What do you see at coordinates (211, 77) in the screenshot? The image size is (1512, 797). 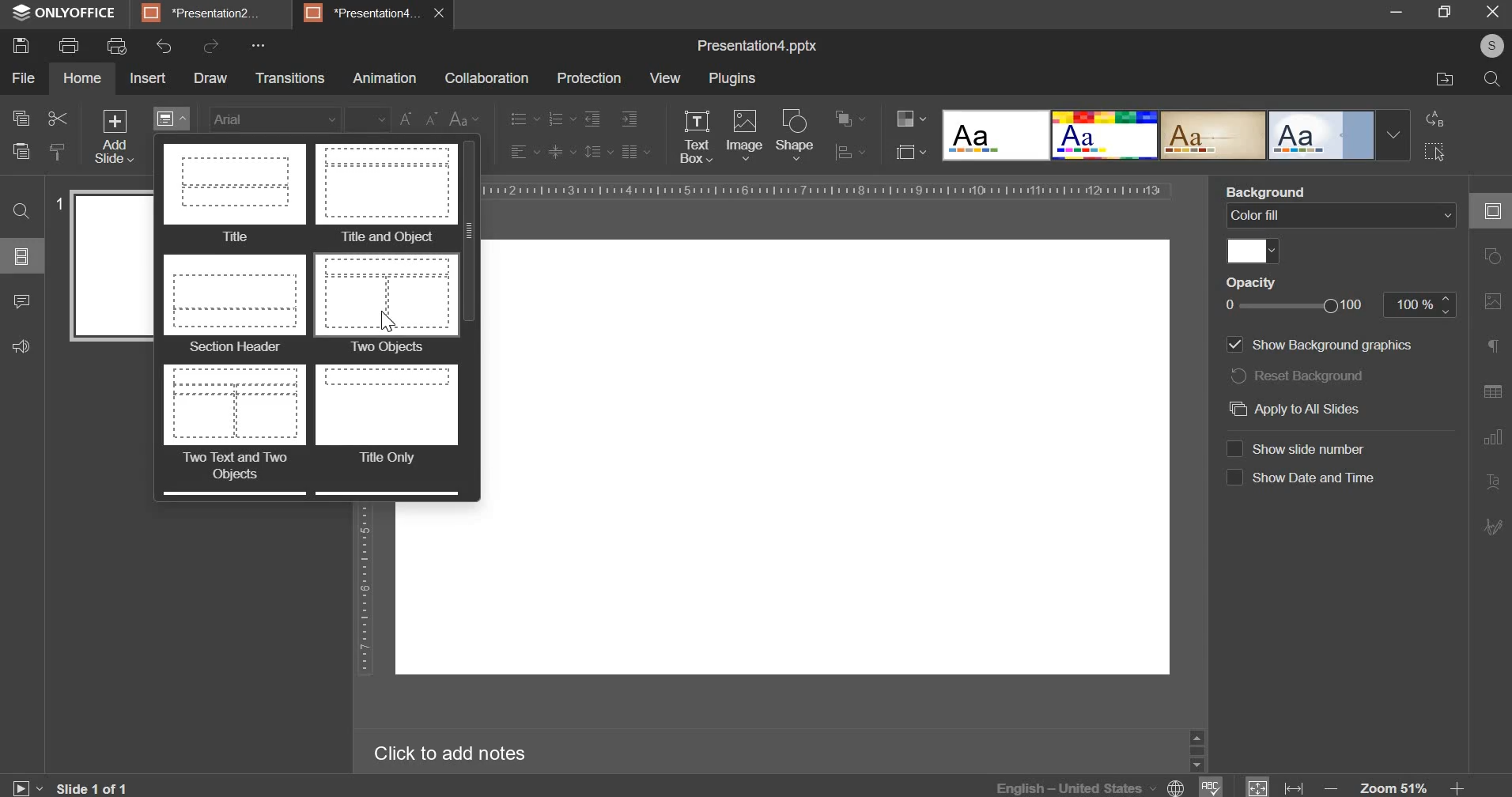 I see `draw` at bounding box center [211, 77].